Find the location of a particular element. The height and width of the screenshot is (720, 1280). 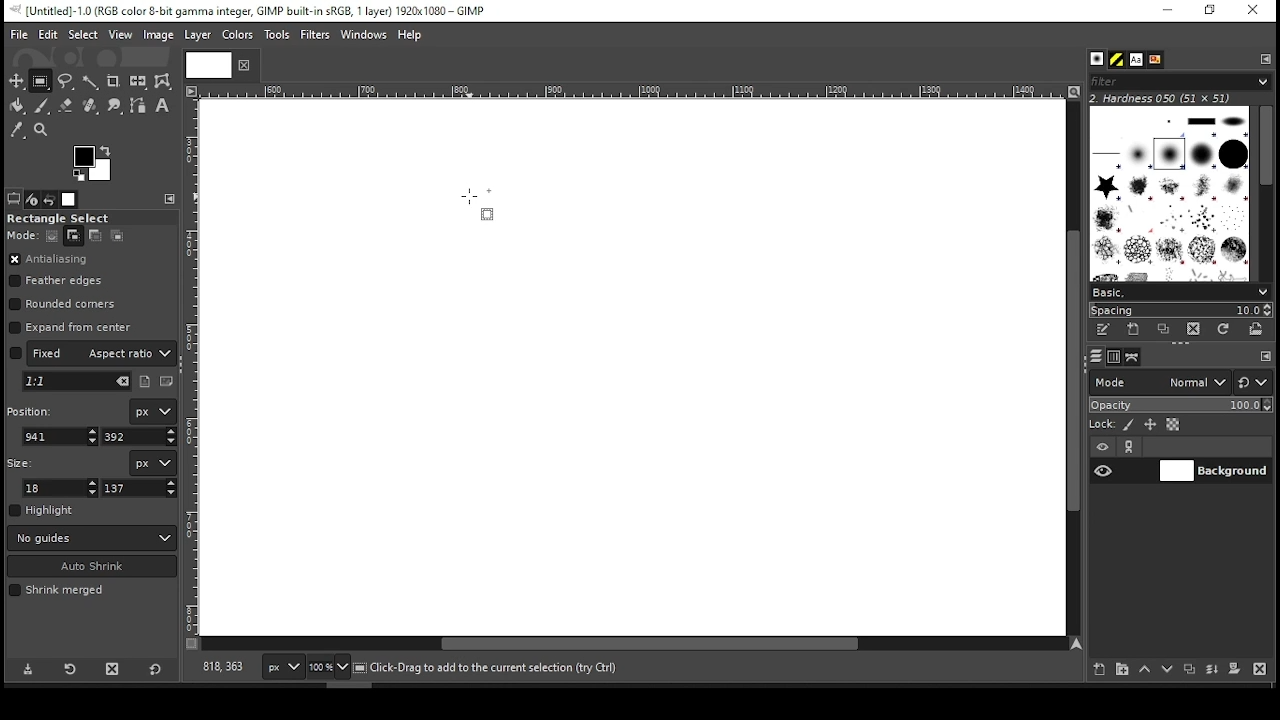

free selection tool is located at coordinates (68, 82).